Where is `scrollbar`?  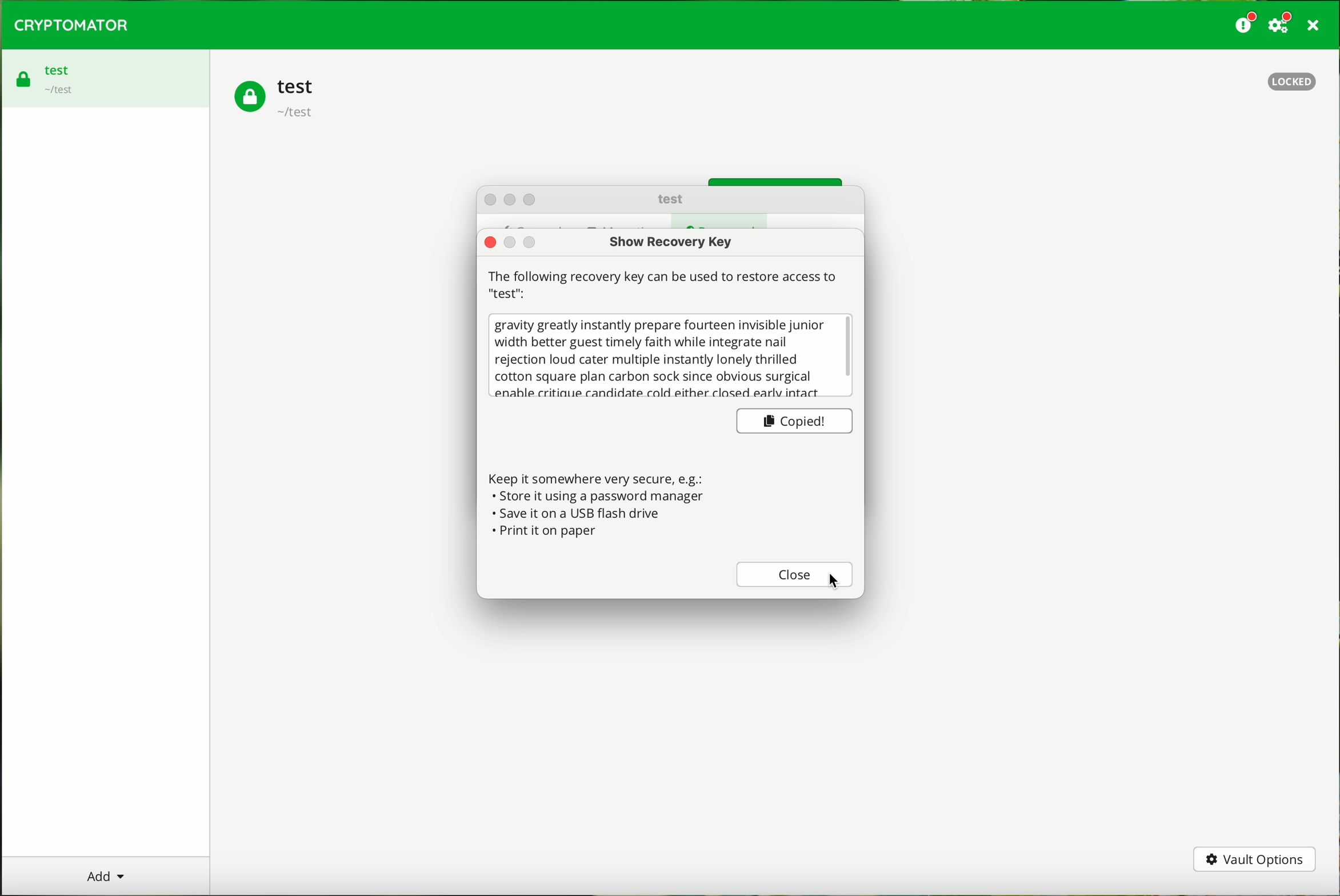 scrollbar is located at coordinates (849, 357).